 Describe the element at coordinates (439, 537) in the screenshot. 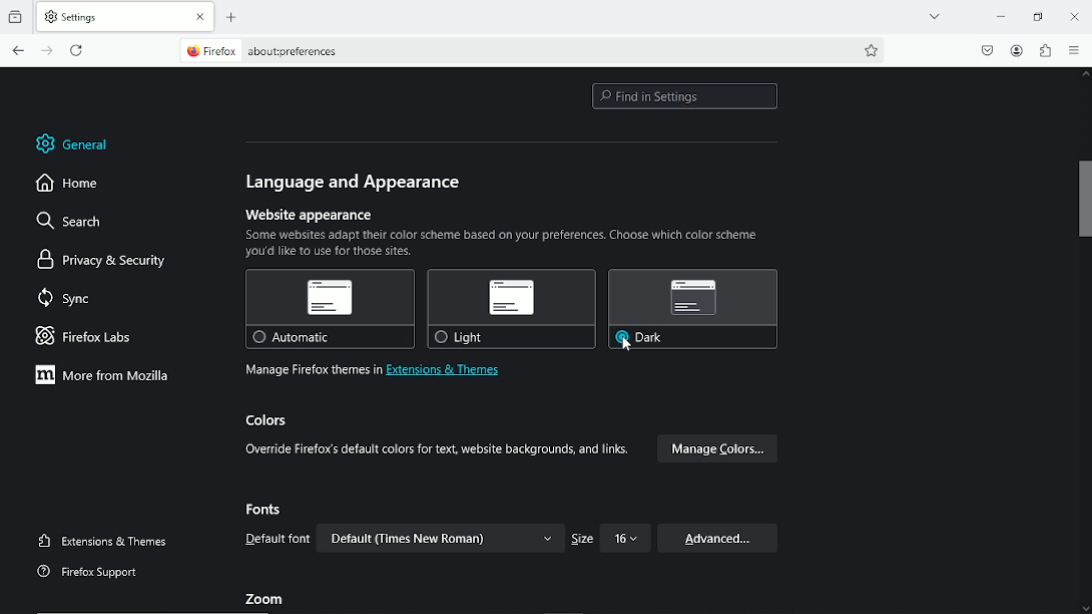

I see `Default (Times New Roman) v` at that location.